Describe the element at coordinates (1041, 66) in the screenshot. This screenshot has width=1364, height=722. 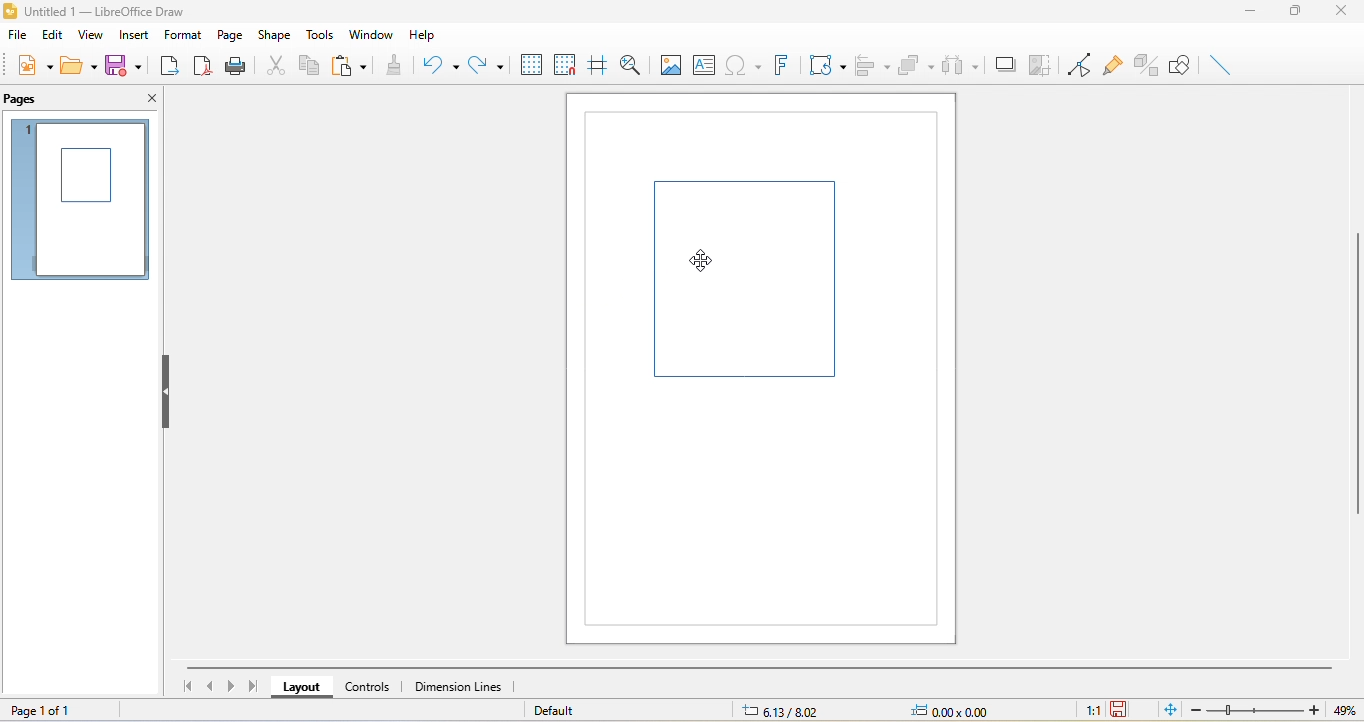
I see `crop image` at that location.